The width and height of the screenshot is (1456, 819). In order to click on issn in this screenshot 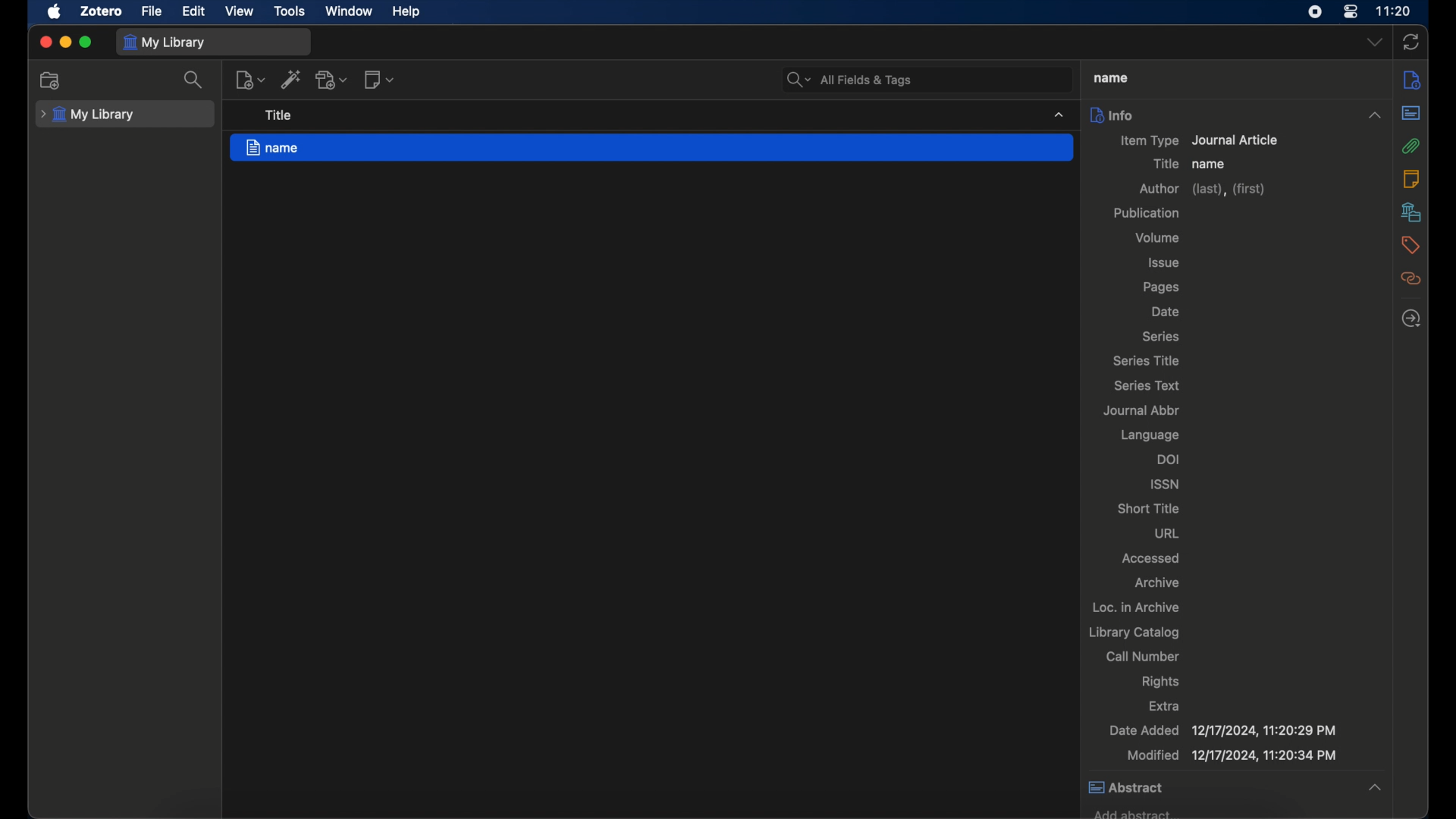, I will do `click(1166, 484)`.